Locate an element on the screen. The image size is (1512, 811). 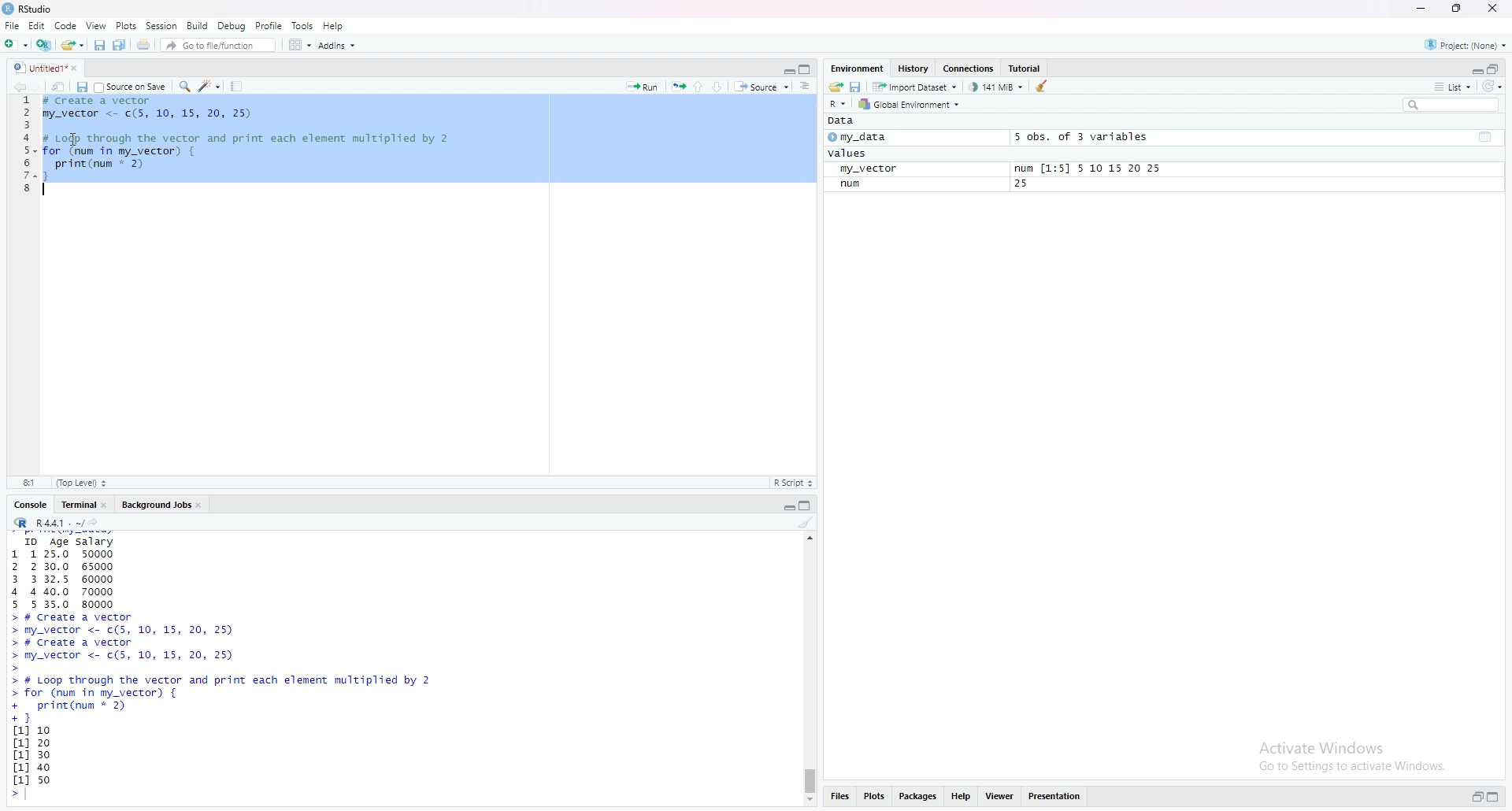
open an existing file is located at coordinates (73, 46).